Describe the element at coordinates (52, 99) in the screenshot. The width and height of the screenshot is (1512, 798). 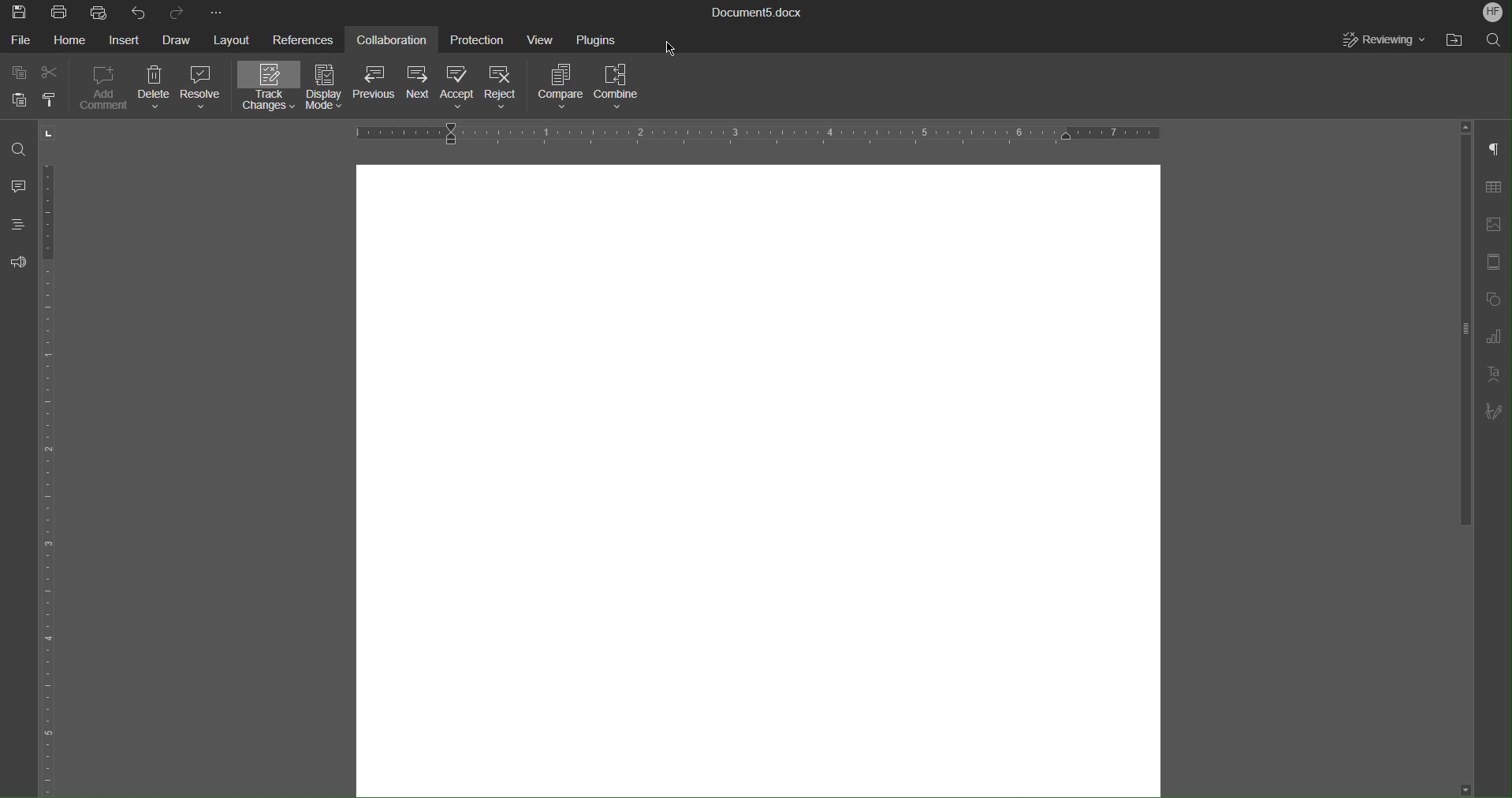
I see `Copy Style` at that location.